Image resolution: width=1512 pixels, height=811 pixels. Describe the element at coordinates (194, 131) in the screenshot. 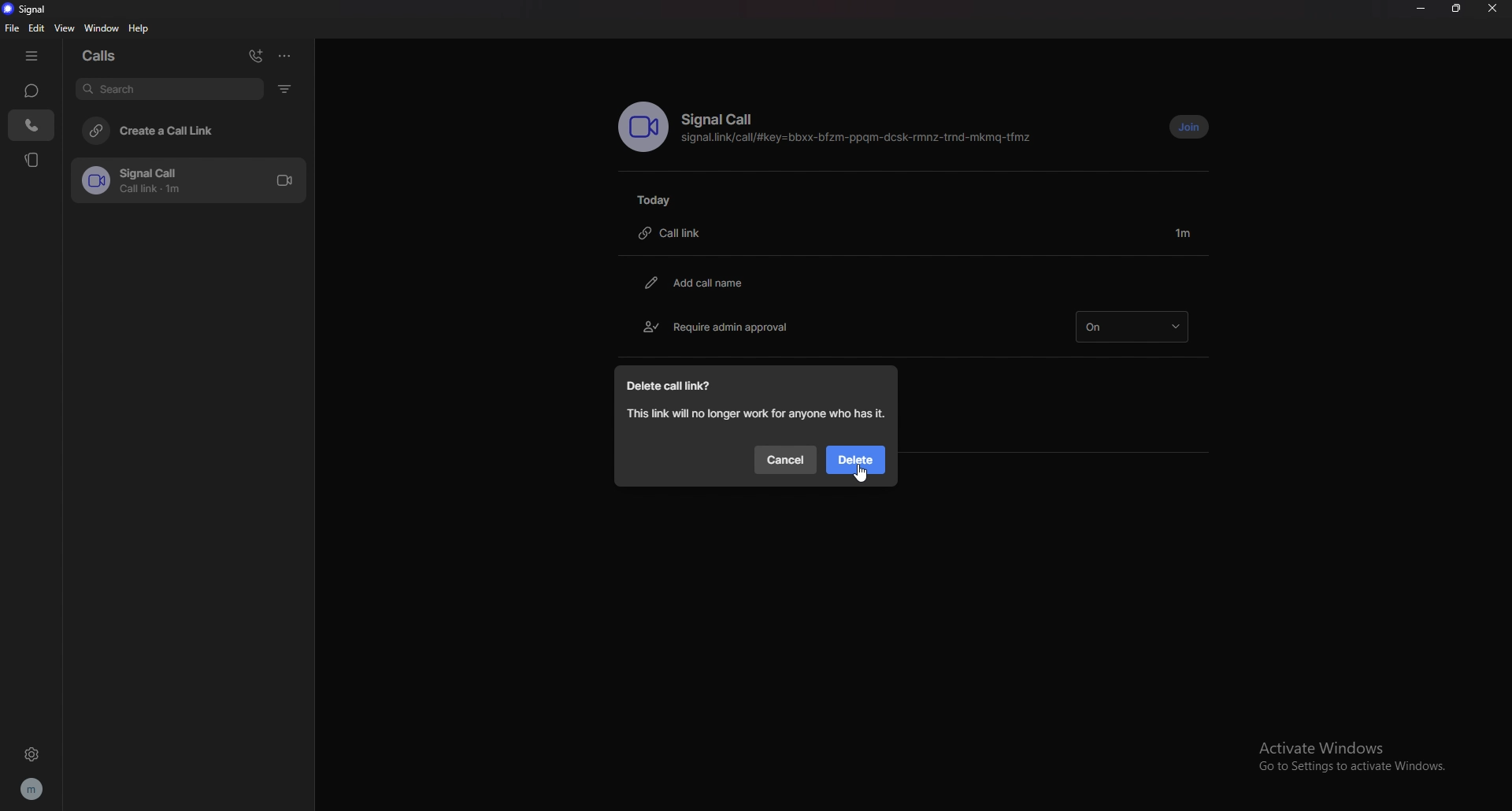

I see `create call link` at that location.